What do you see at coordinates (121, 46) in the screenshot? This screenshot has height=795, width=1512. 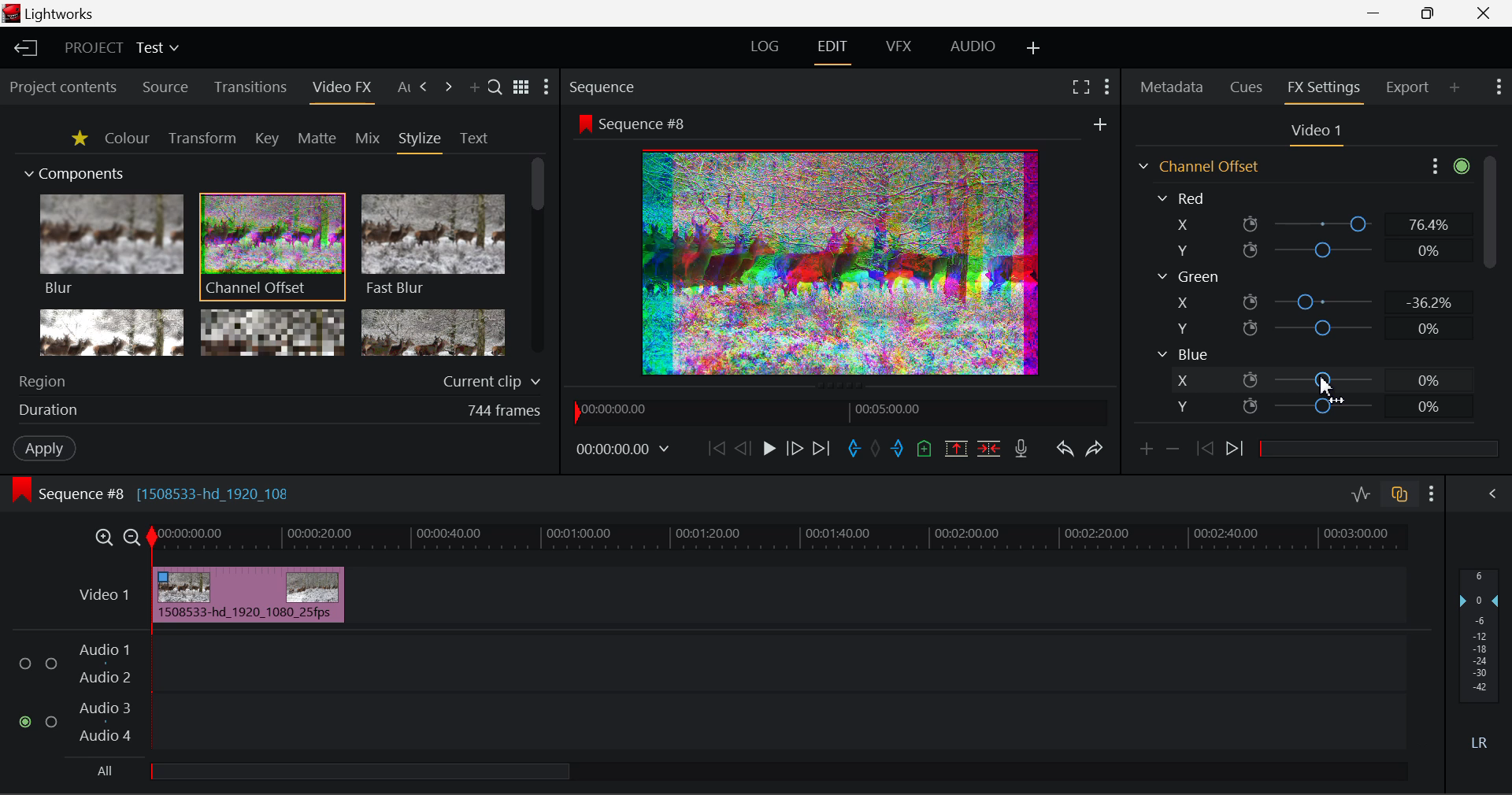 I see `Project Title` at bounding box center [121, 46].